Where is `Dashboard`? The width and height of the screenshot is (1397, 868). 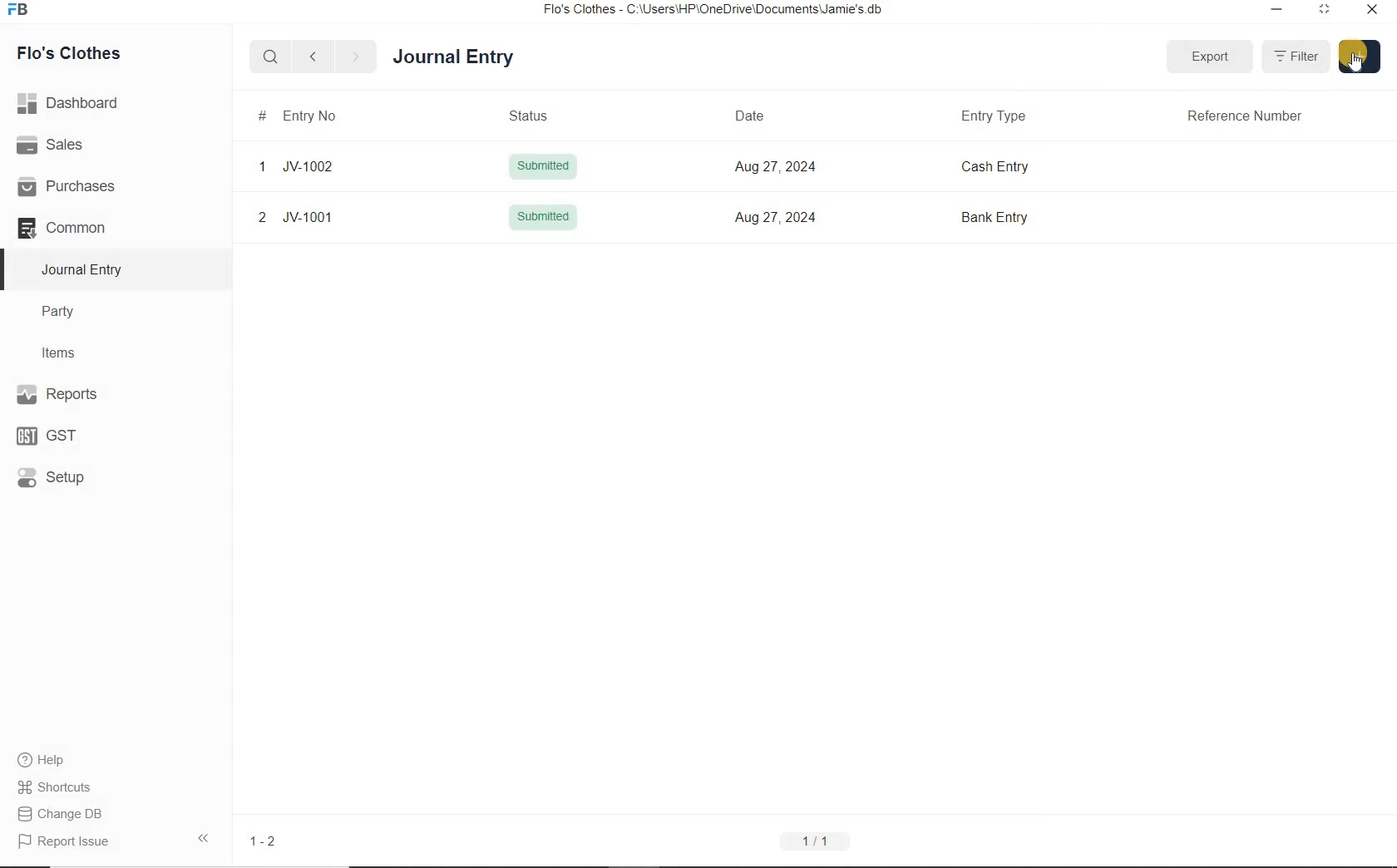 Dashboard is located at coordinates (74, 101).